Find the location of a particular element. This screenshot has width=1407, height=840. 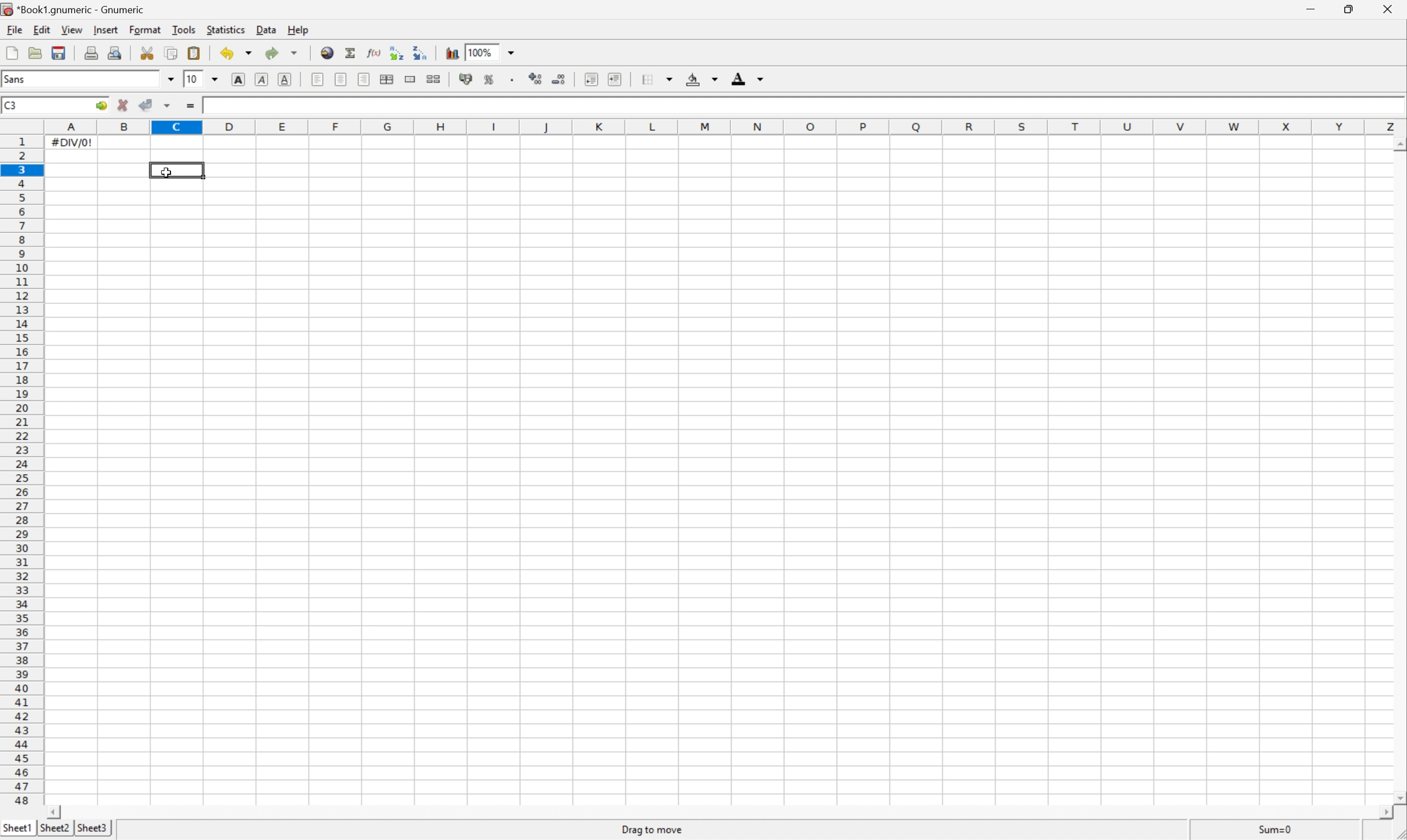

Insert a chart is located at coordinates (452, 53).